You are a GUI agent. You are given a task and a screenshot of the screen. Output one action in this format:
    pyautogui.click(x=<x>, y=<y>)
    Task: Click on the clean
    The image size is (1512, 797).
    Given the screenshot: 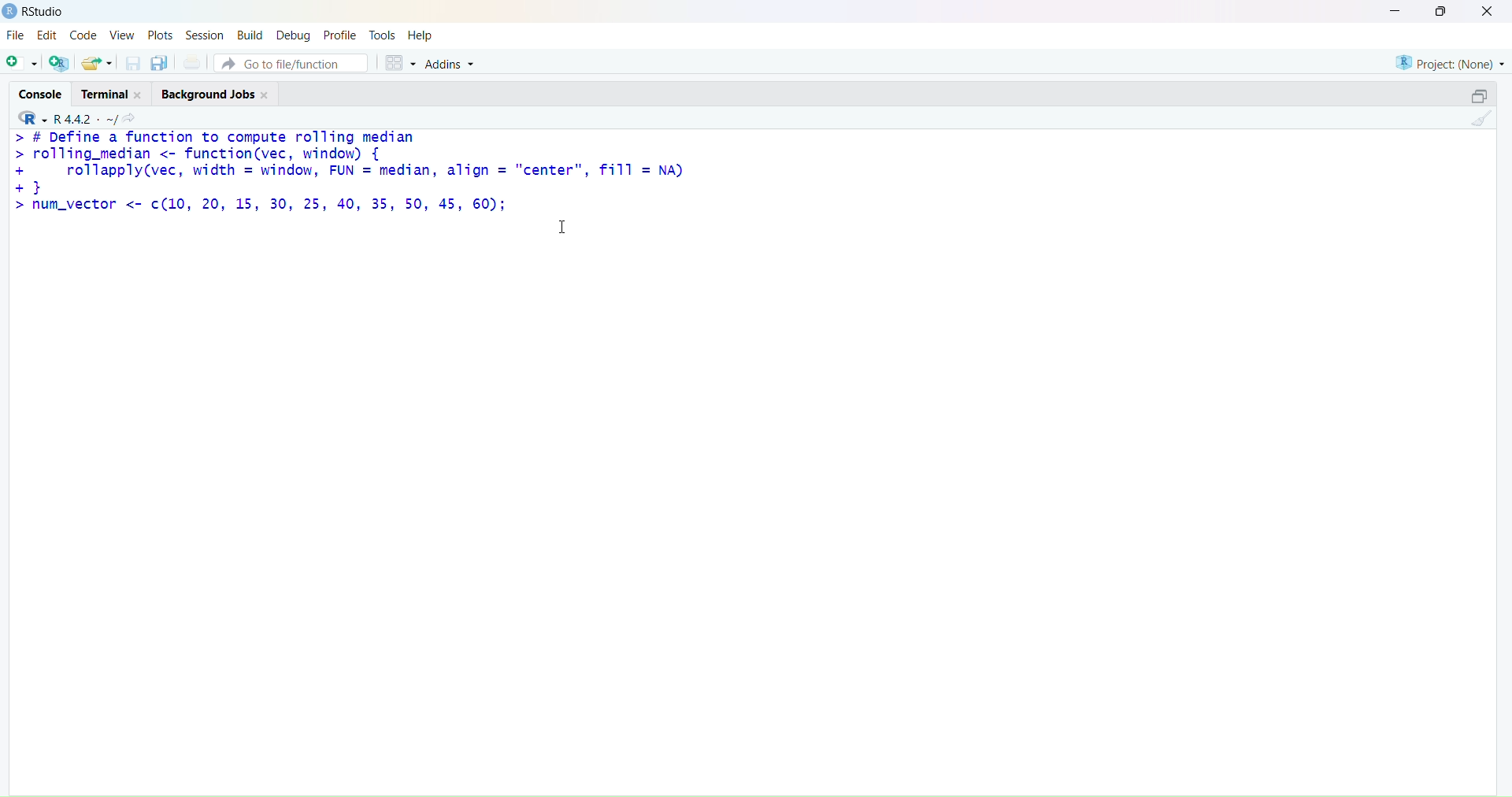 What is the action you would take?
    pyautogui.click(x=1481, y=118)
    